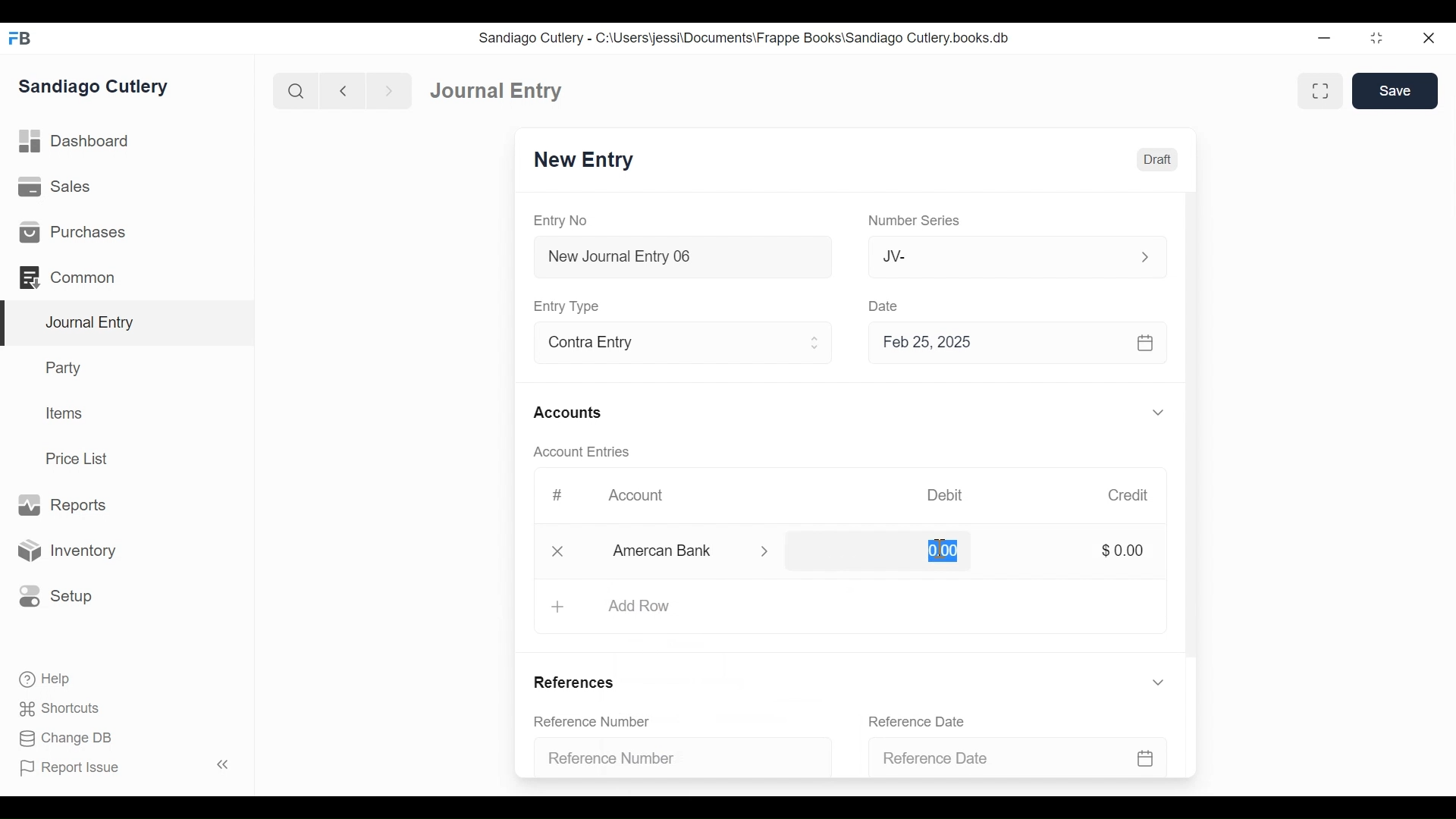 This screenshot has height=819, width=1456. What do you see at coordinates (917, 221) in the screenshot?
I see `Number Series` at bounding box center [917, 221].